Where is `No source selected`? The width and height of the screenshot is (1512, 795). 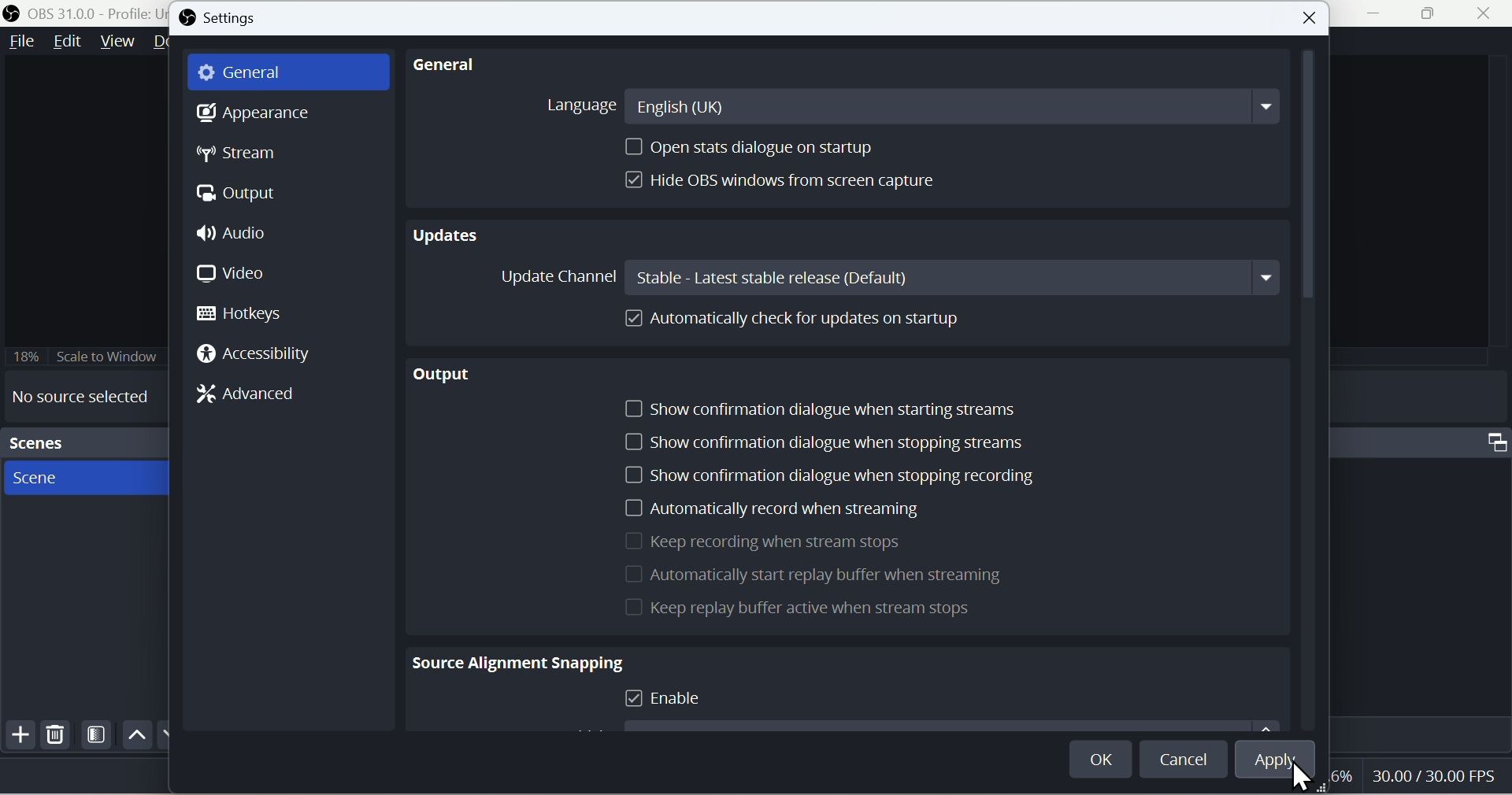
No source selected is located at coordinates (85, 398).